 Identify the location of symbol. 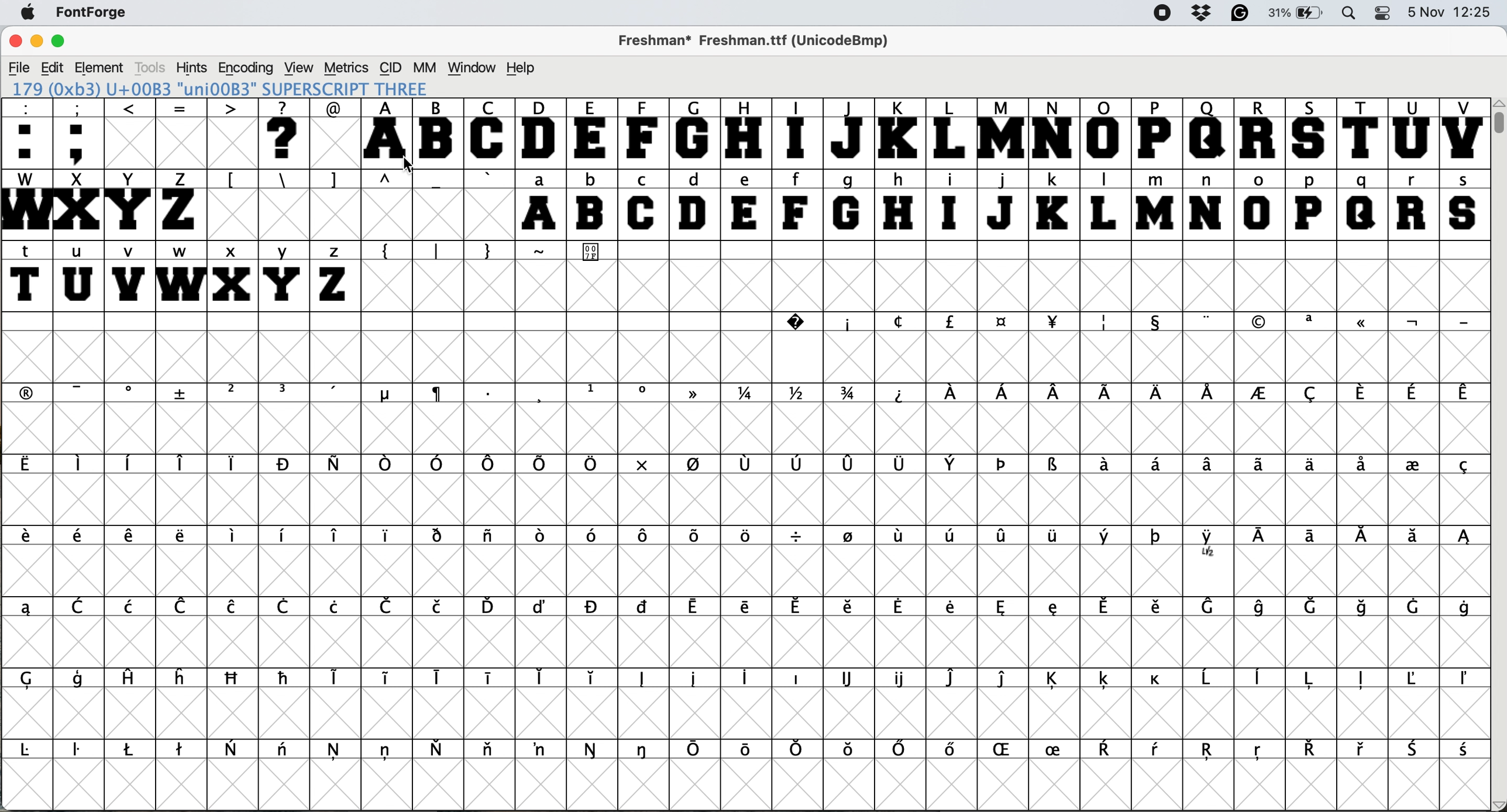
(234, 463).